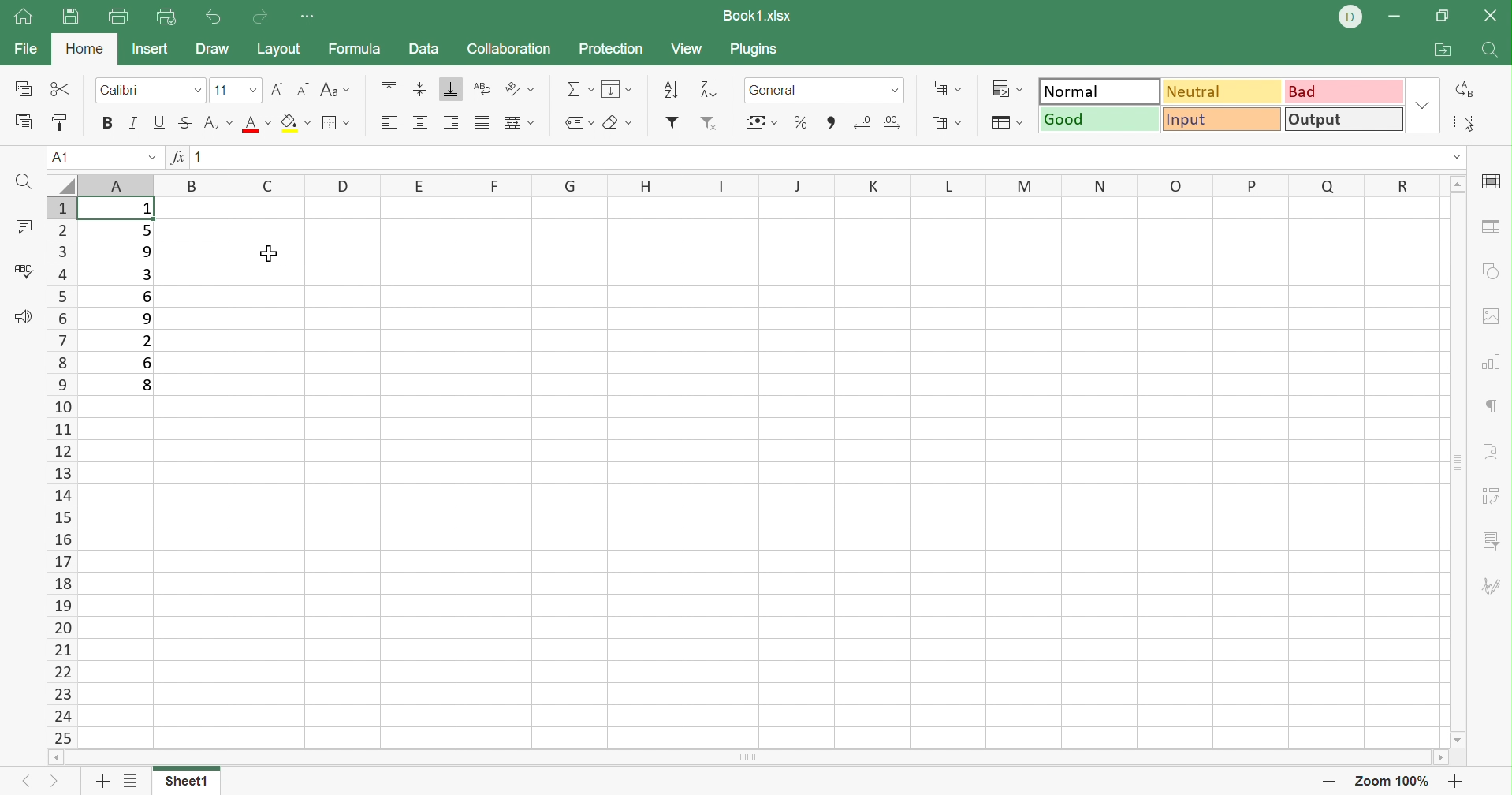 Image resolution: width=1512 pixels, height=795 pixels. I want to click on Data, so click(424, 50).